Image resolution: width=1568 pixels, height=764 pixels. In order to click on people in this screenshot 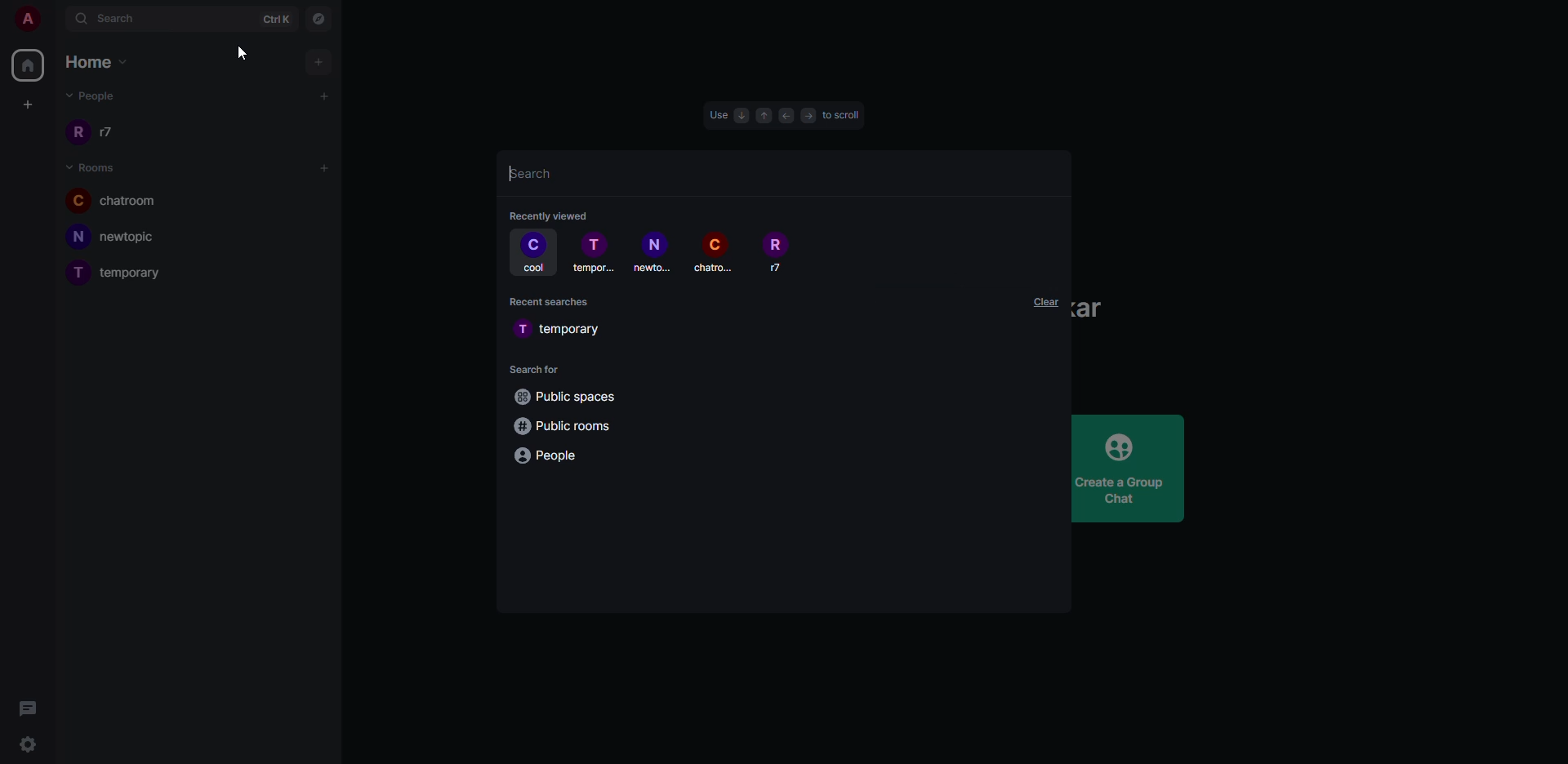, I will do `click(777, 255)`.